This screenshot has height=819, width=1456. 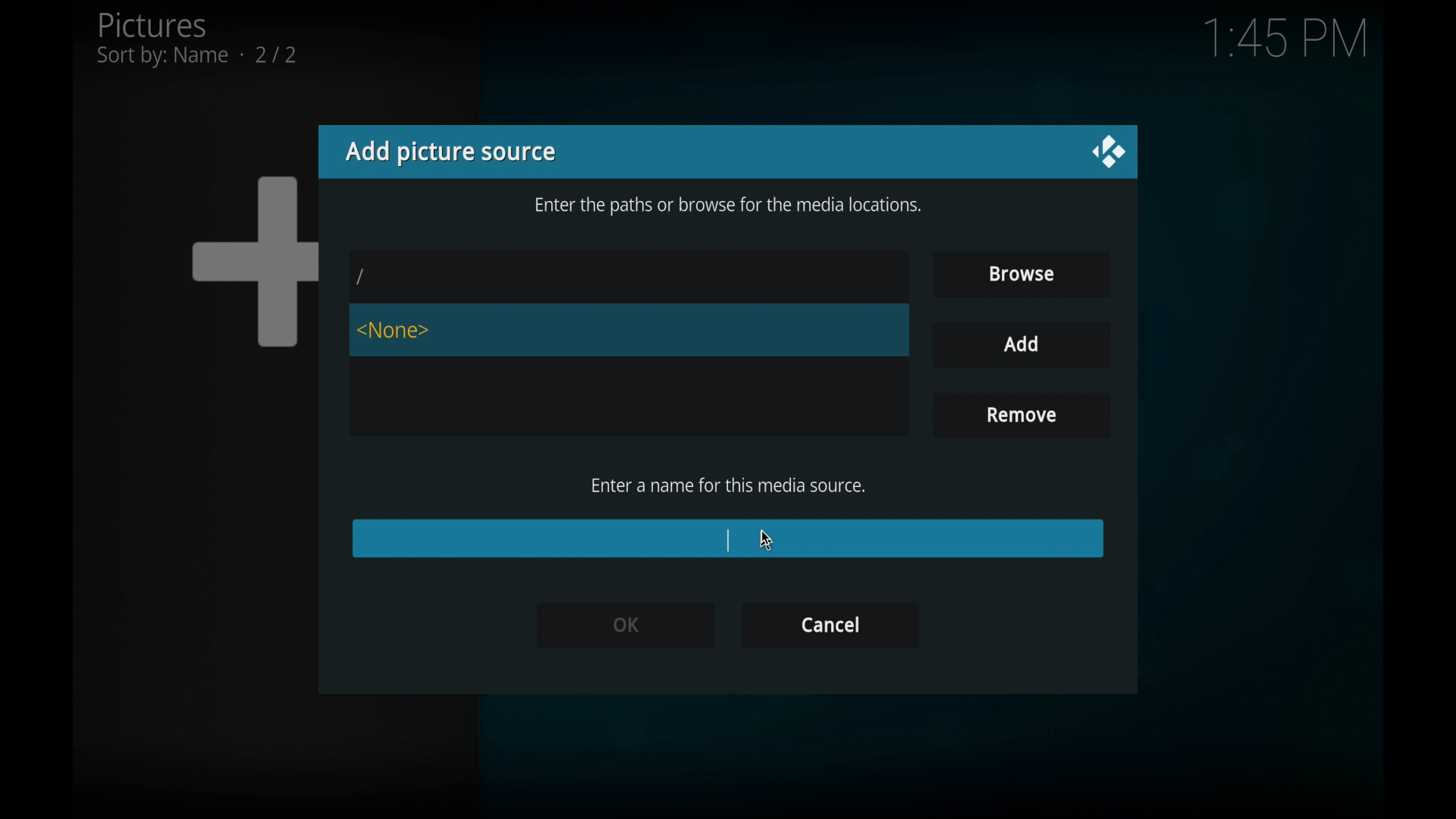 What do you see at coordinates (830, 626) in the screenshot?
I see `cancel` at bounding box center [830, 626].